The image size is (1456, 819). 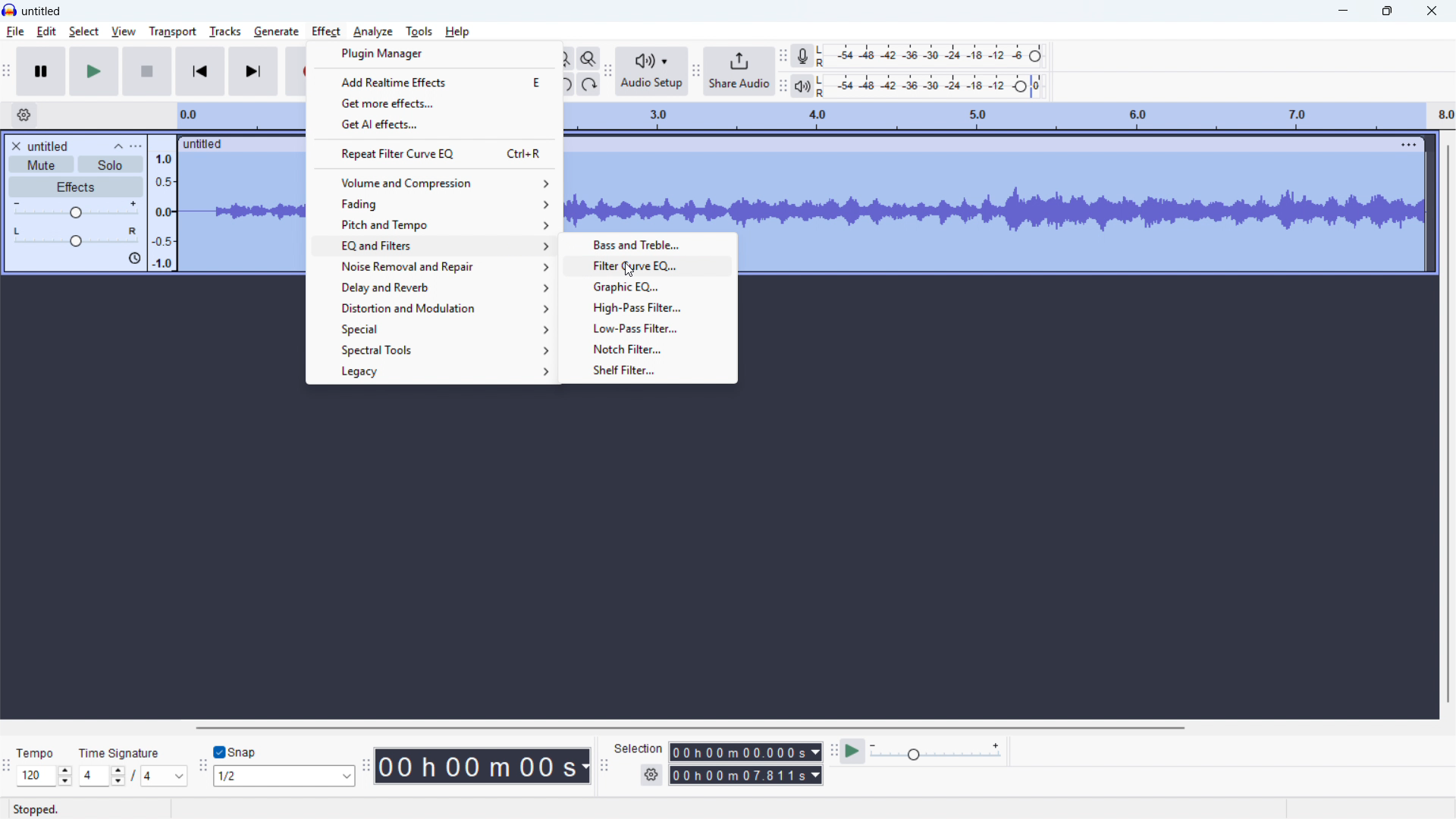 I want to click on collapse, so click(x=118, y=146).